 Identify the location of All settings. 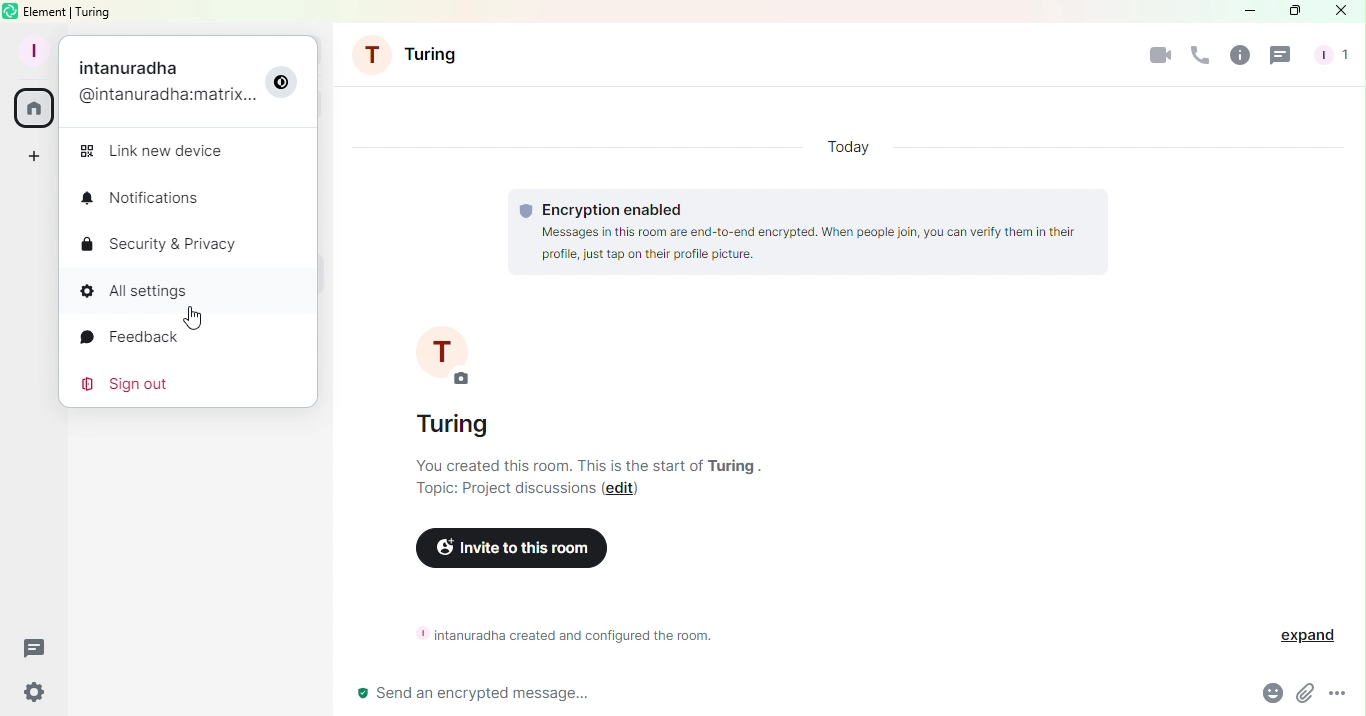
(187, 296).